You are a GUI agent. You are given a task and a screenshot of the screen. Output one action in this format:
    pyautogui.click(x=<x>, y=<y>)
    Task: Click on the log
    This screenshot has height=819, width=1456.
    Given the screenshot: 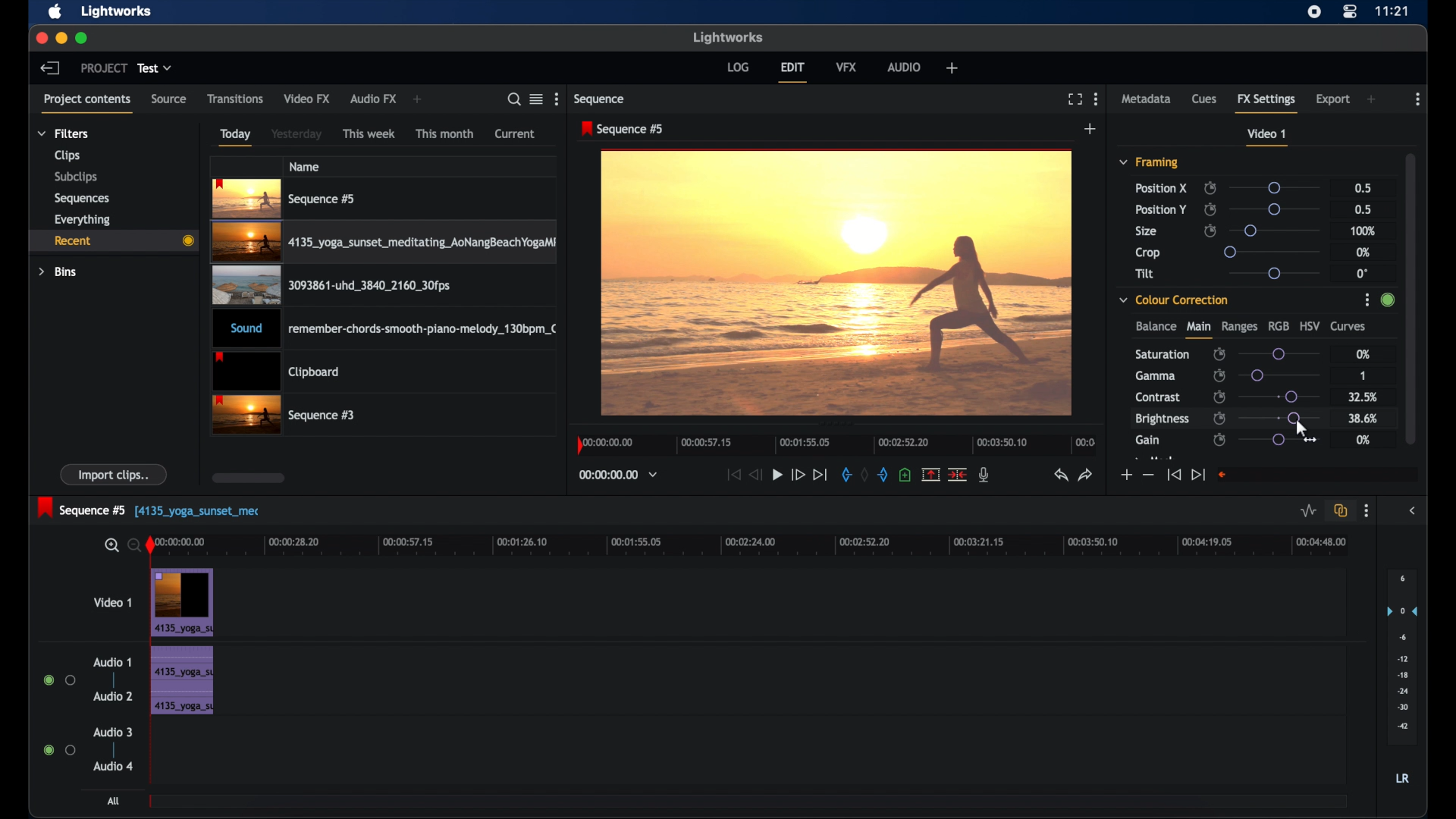 What is the action you would take?
    pyautogui.click(x=737, y=66)
    